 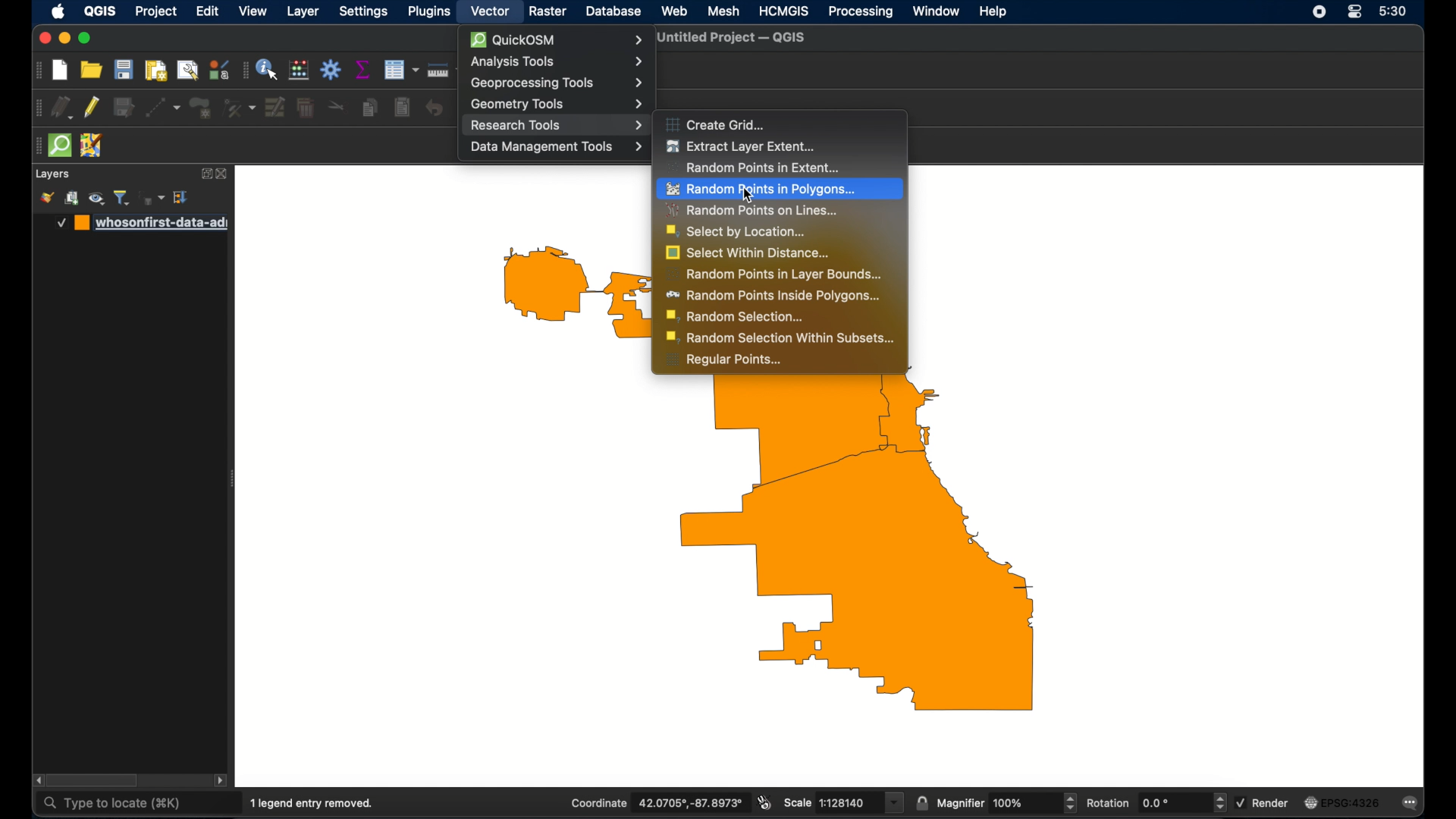 What do you see at coordinates (429, 12) in the screenshot?
I see `plugins` at bounding box center [429, 12].